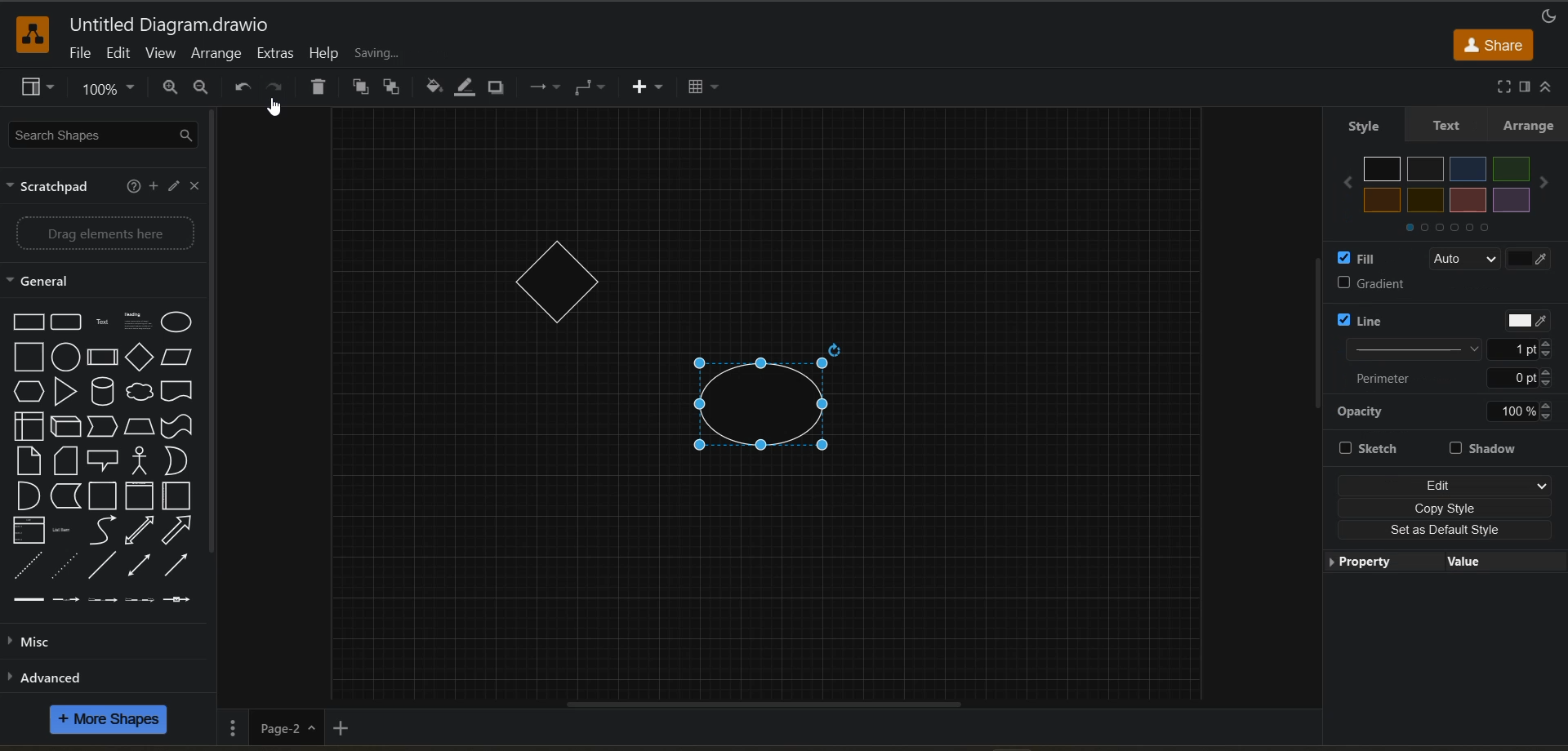 The height and width of the screenshot is (751, 1568). Describe the element at coordinates (211, 336) in the screenshot. I see `vertical scroll bar` at that location.